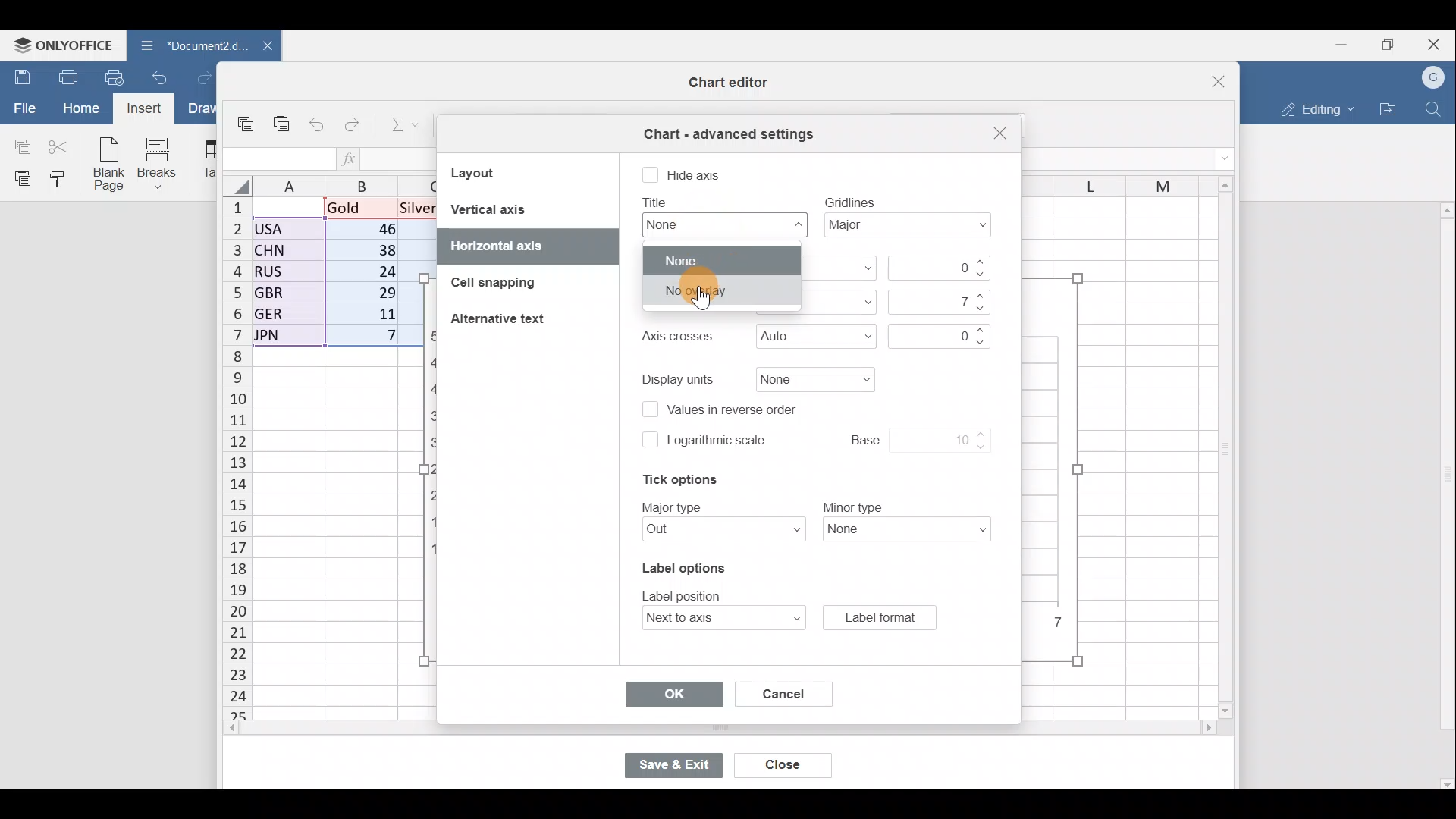 This screenshot has width=1456, height=819. What do you see at coordinates (337, 184) in the screenshot?
I see `Columns` at bounding box center [337, 184].